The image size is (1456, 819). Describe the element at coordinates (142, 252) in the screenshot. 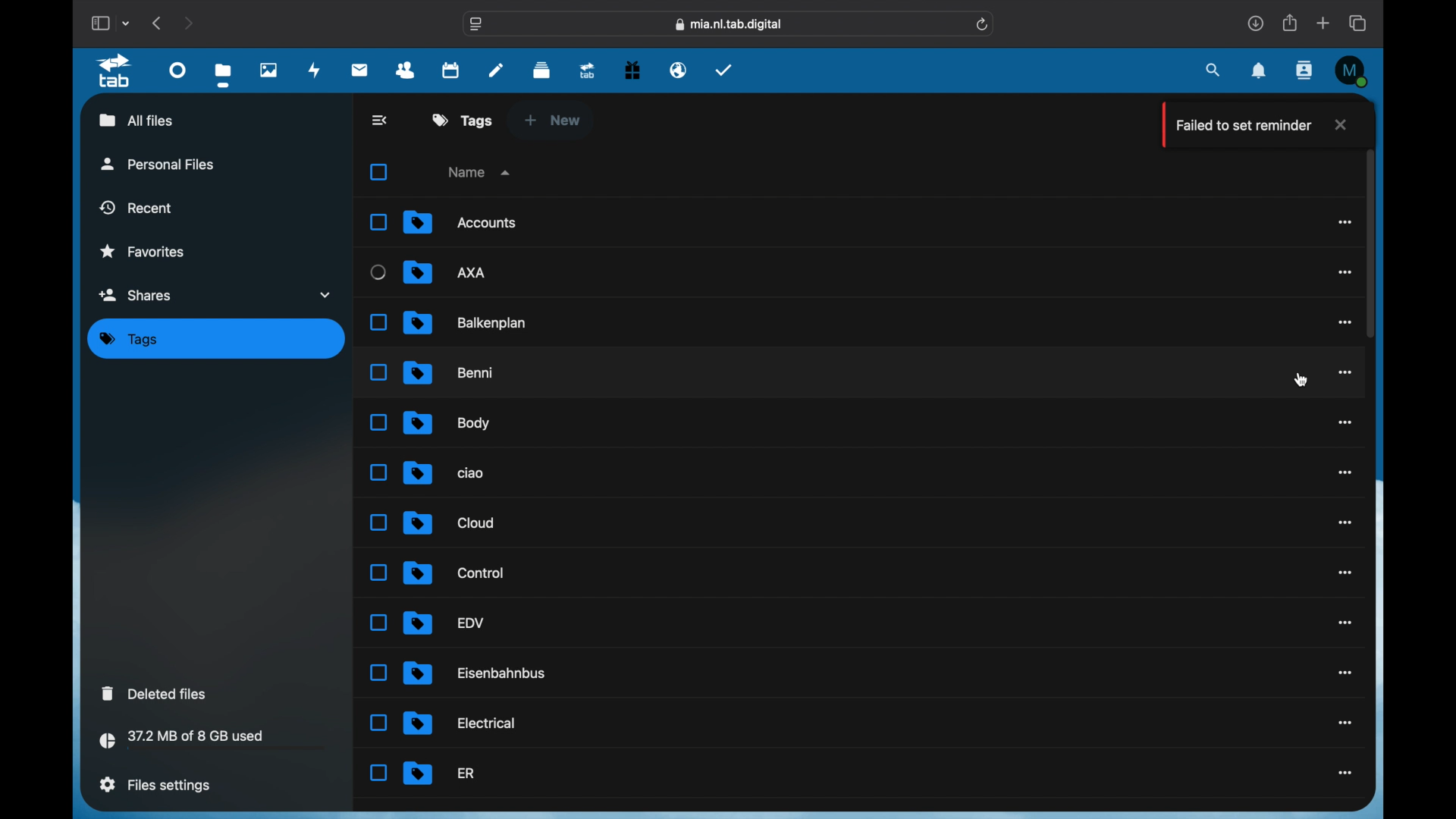

I see `favorites` at that location.